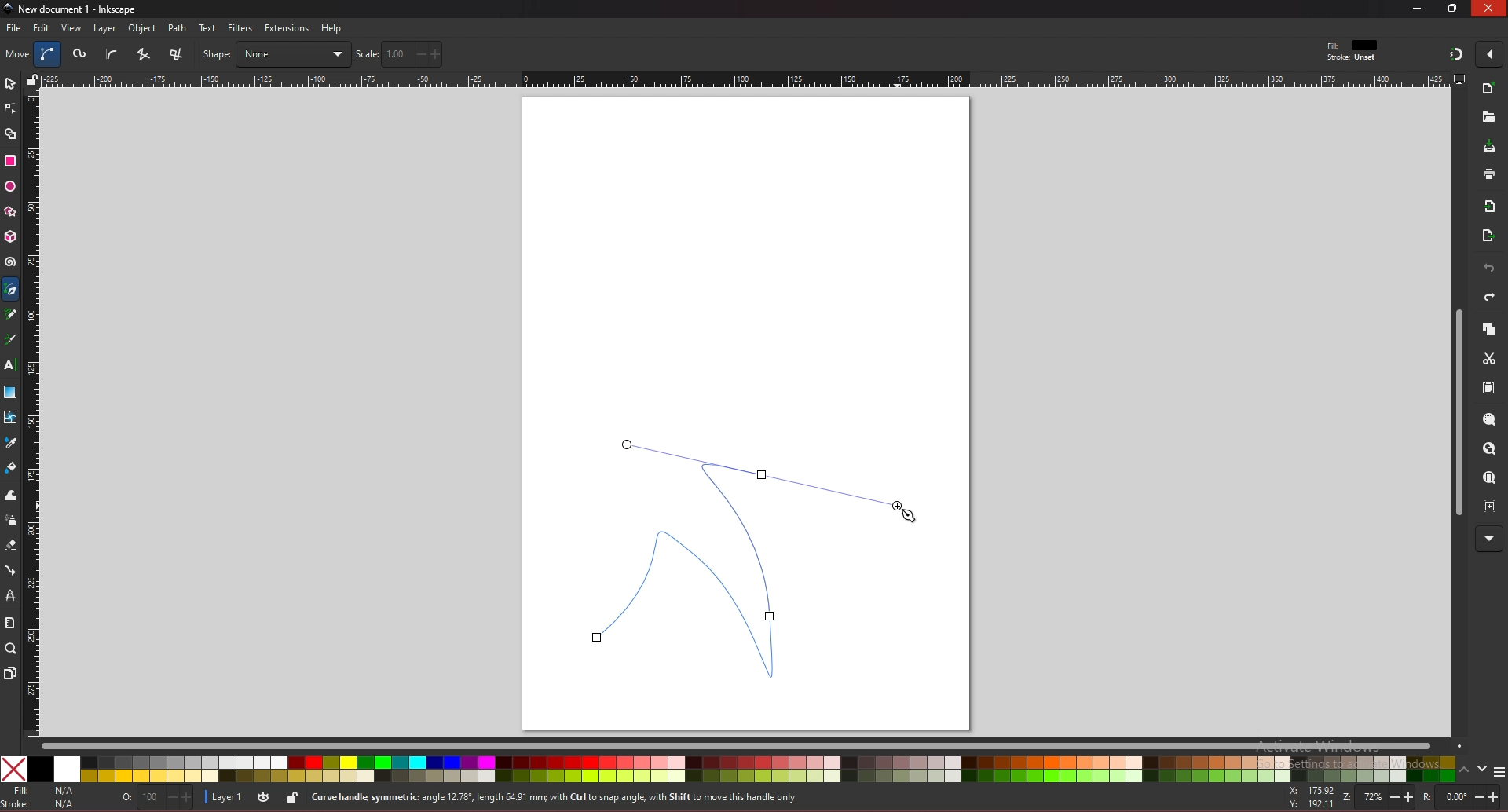 This screenshot has height=812, width=1508. What do you see at coordinates (178, 55) in the screenshot?
I see `sequence of paraxial line segments` at bounding box center [178, 55].